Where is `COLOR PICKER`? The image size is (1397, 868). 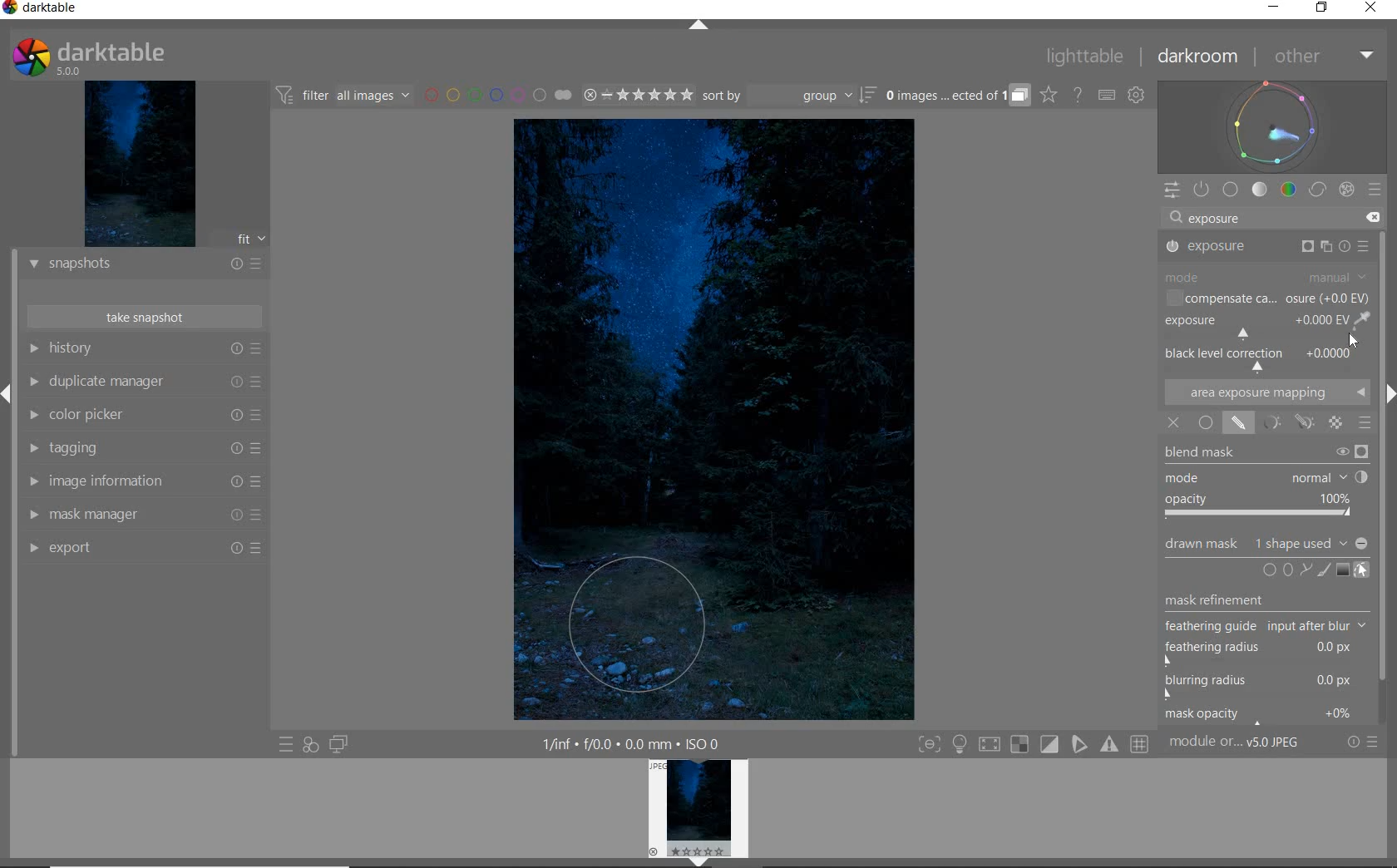
COLOR PICKER is located at coordinates (144, 417).